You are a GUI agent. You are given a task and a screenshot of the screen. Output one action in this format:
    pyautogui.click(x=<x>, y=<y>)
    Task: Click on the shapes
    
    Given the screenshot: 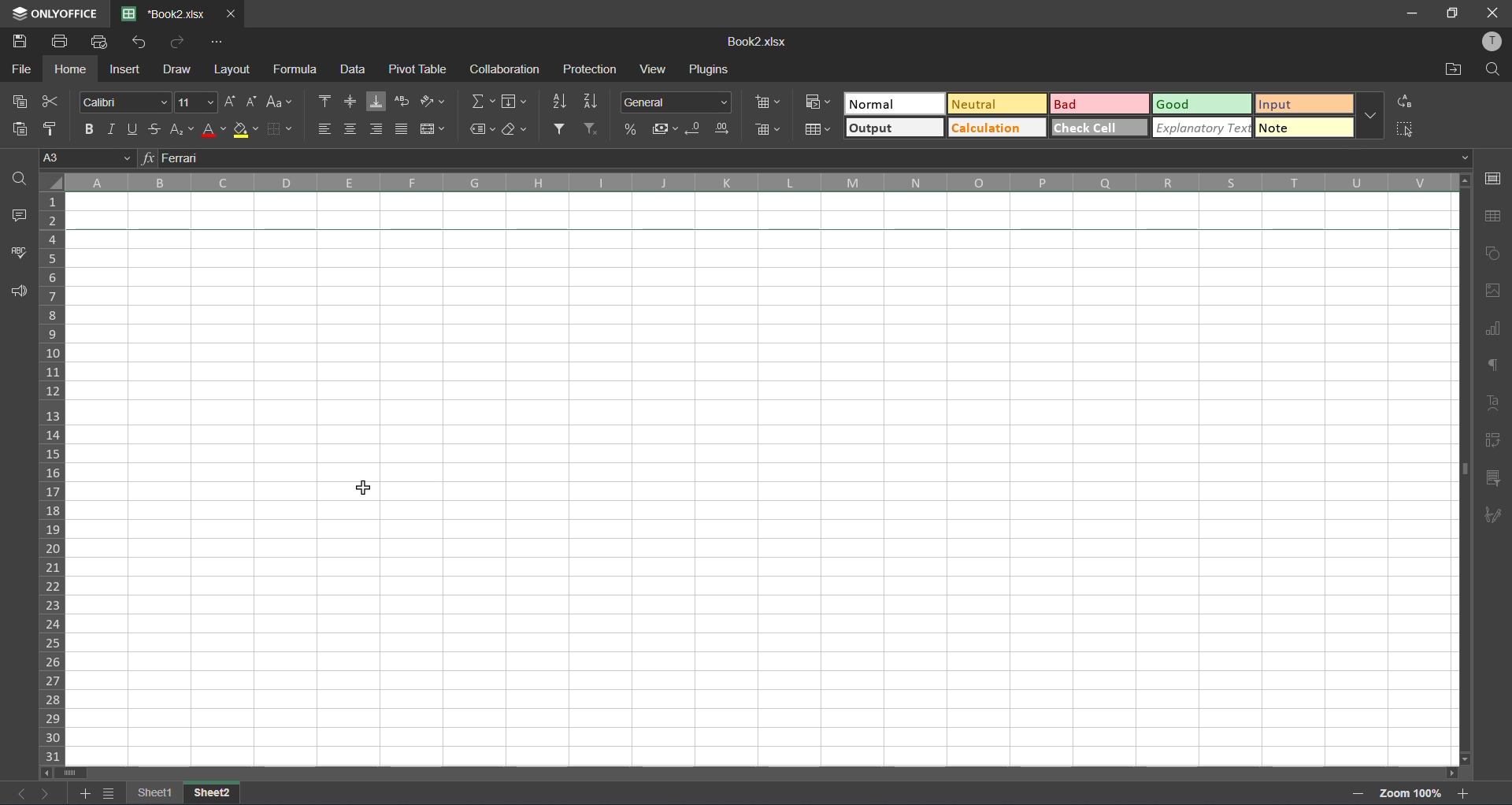 What is the action you would take?
    pyautogui.click(x=1495, y=253)
    